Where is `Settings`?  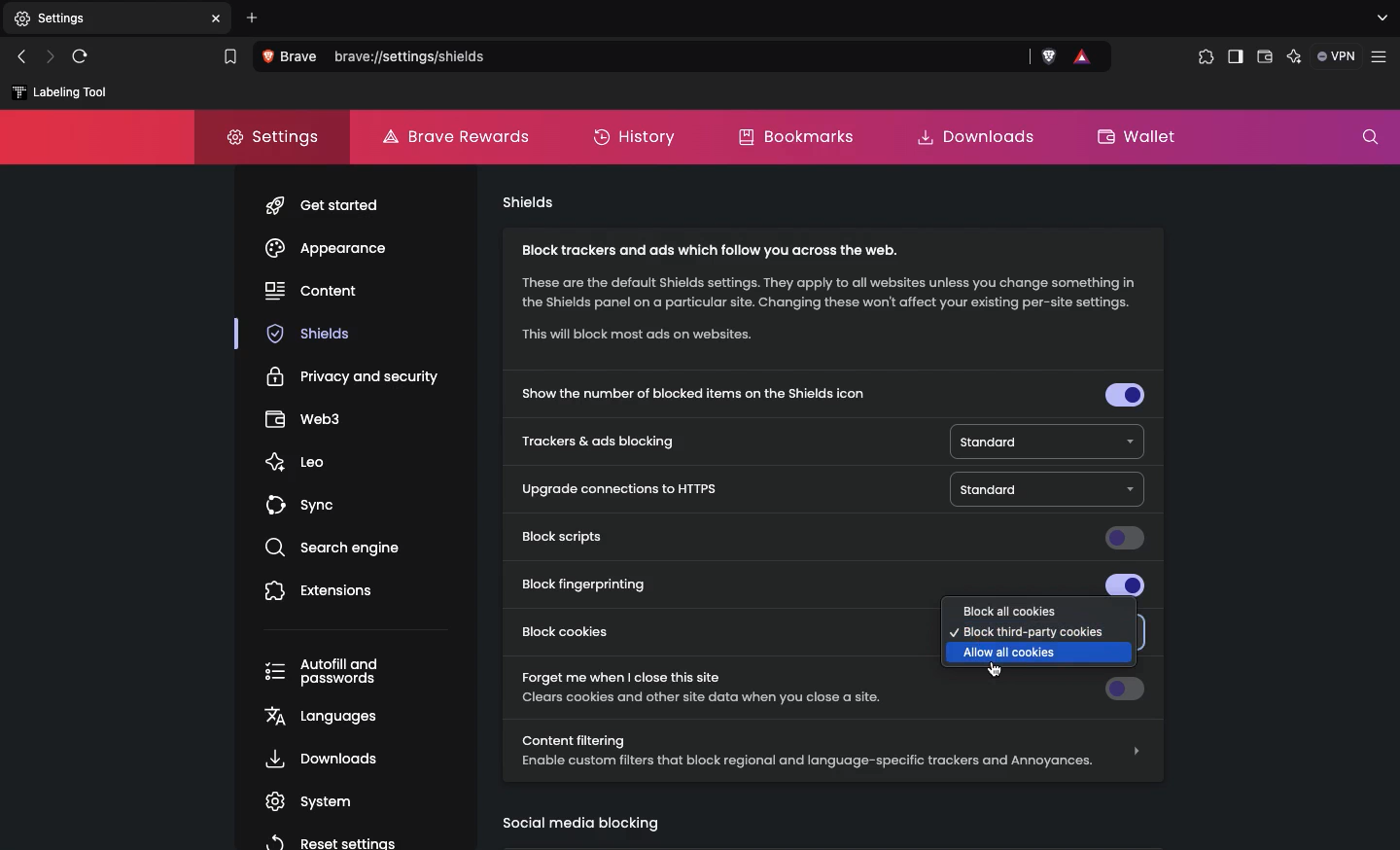
Settings is located at coordinates (276, 137).